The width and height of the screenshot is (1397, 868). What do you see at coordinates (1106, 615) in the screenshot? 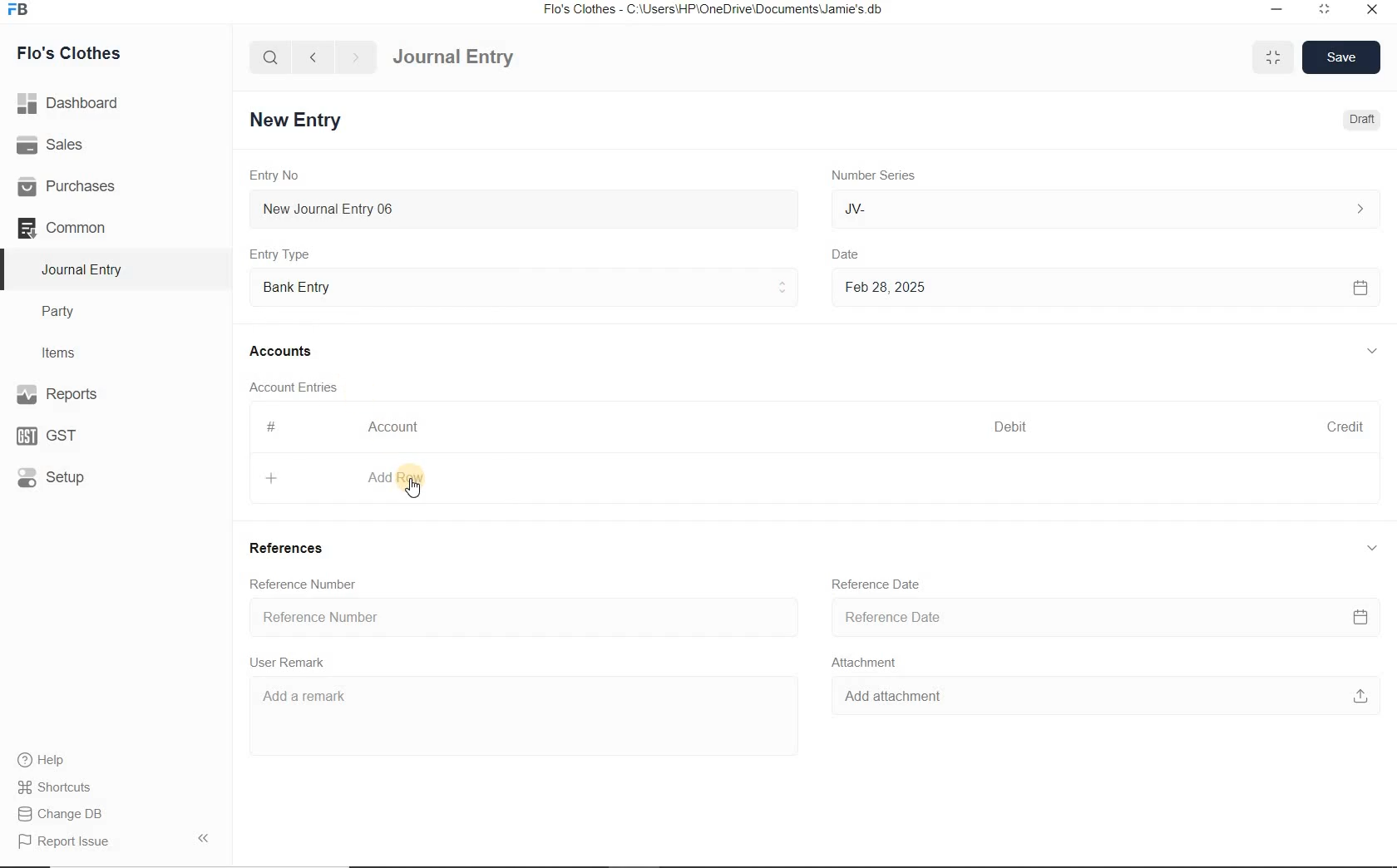
I see `Reference Date` at bounding box center [1106, 615].